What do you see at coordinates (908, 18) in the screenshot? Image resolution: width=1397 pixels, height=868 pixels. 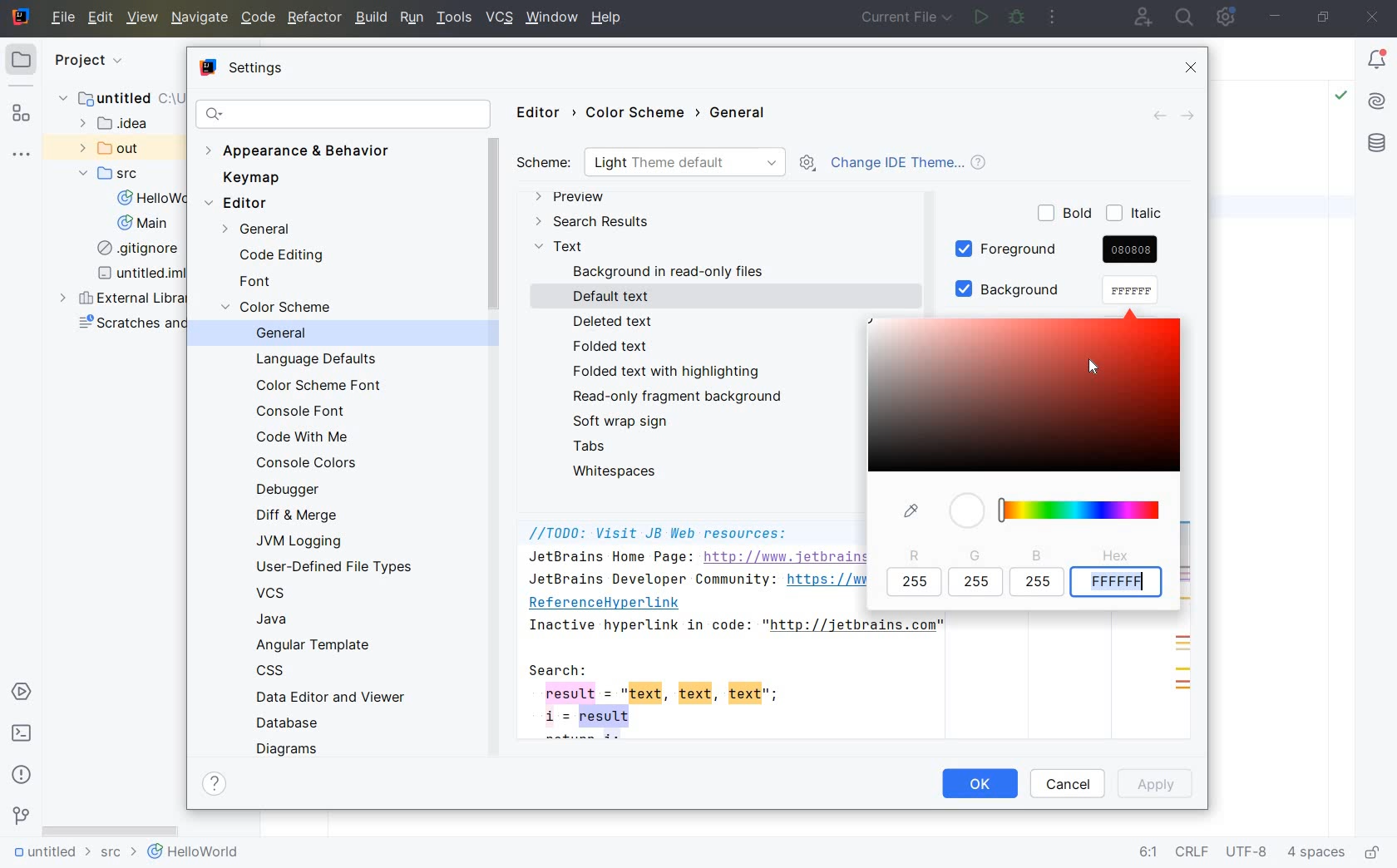 I see `current file` at bounding box center [908, 18].